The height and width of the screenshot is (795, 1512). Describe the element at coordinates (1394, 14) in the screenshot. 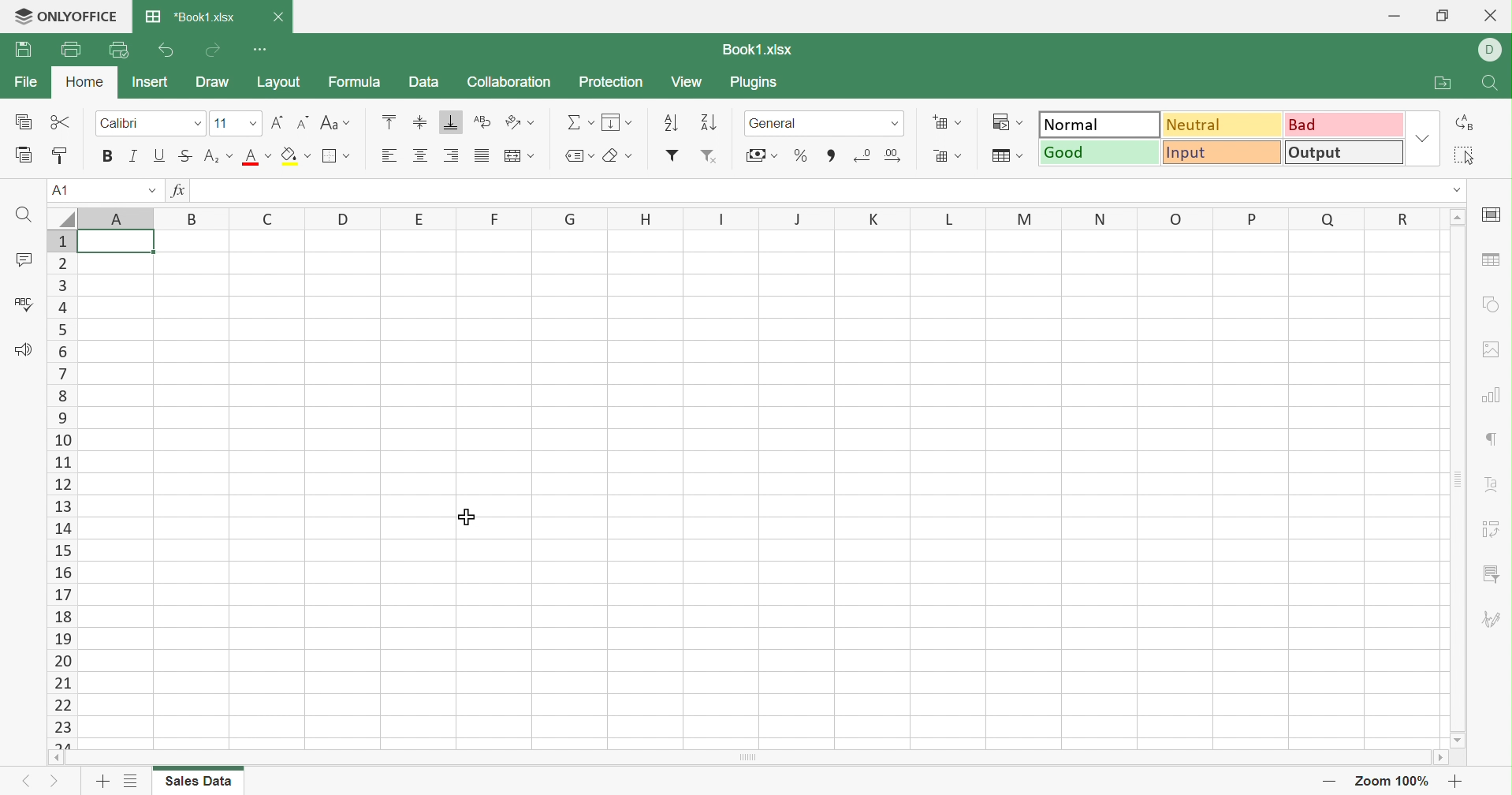

I see `Minimize` at that location.